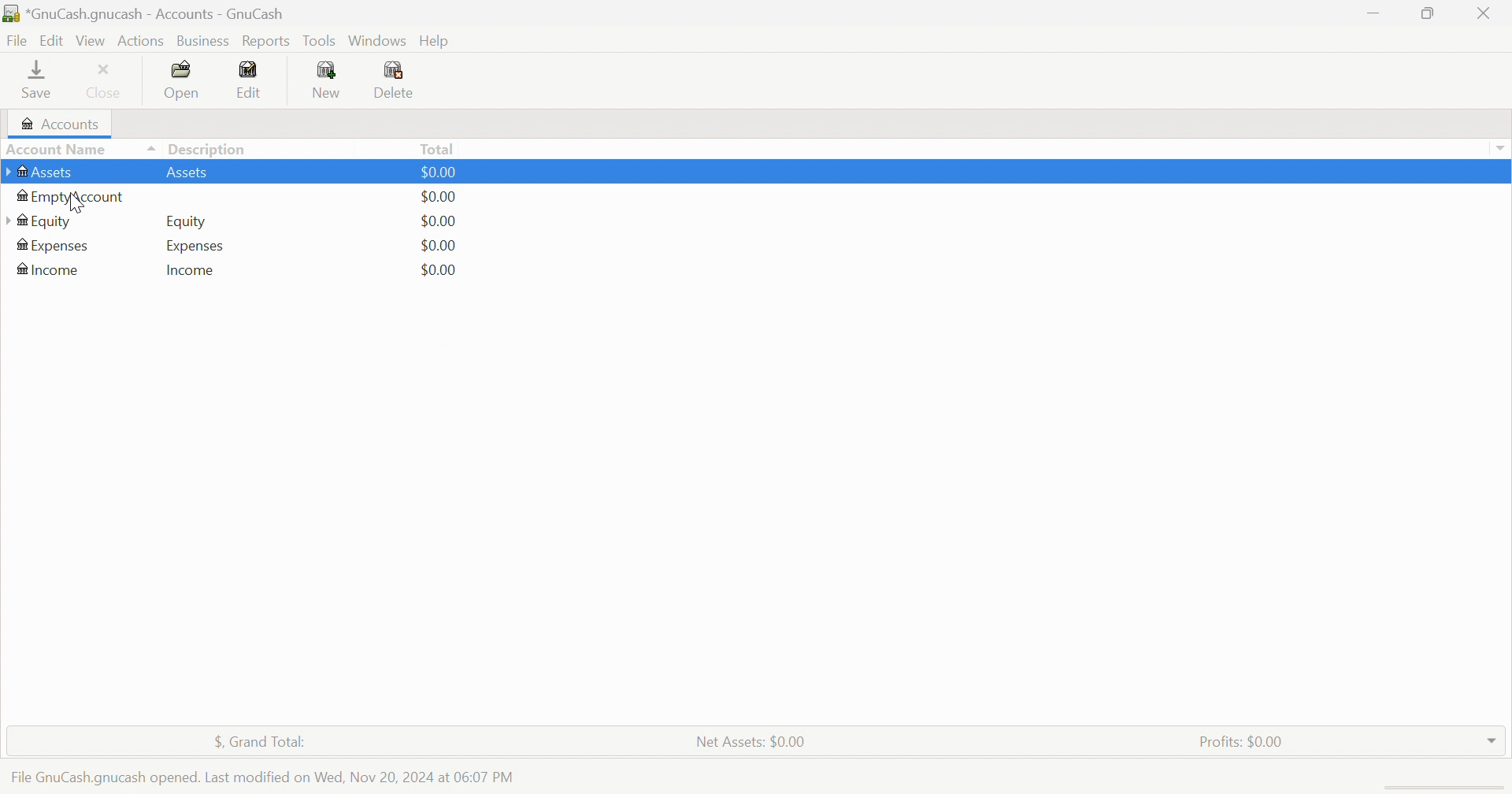  What do you see at coordinates (436, 271) in the screenshot?
I see `$0.00` at bounding box center [436, 271].